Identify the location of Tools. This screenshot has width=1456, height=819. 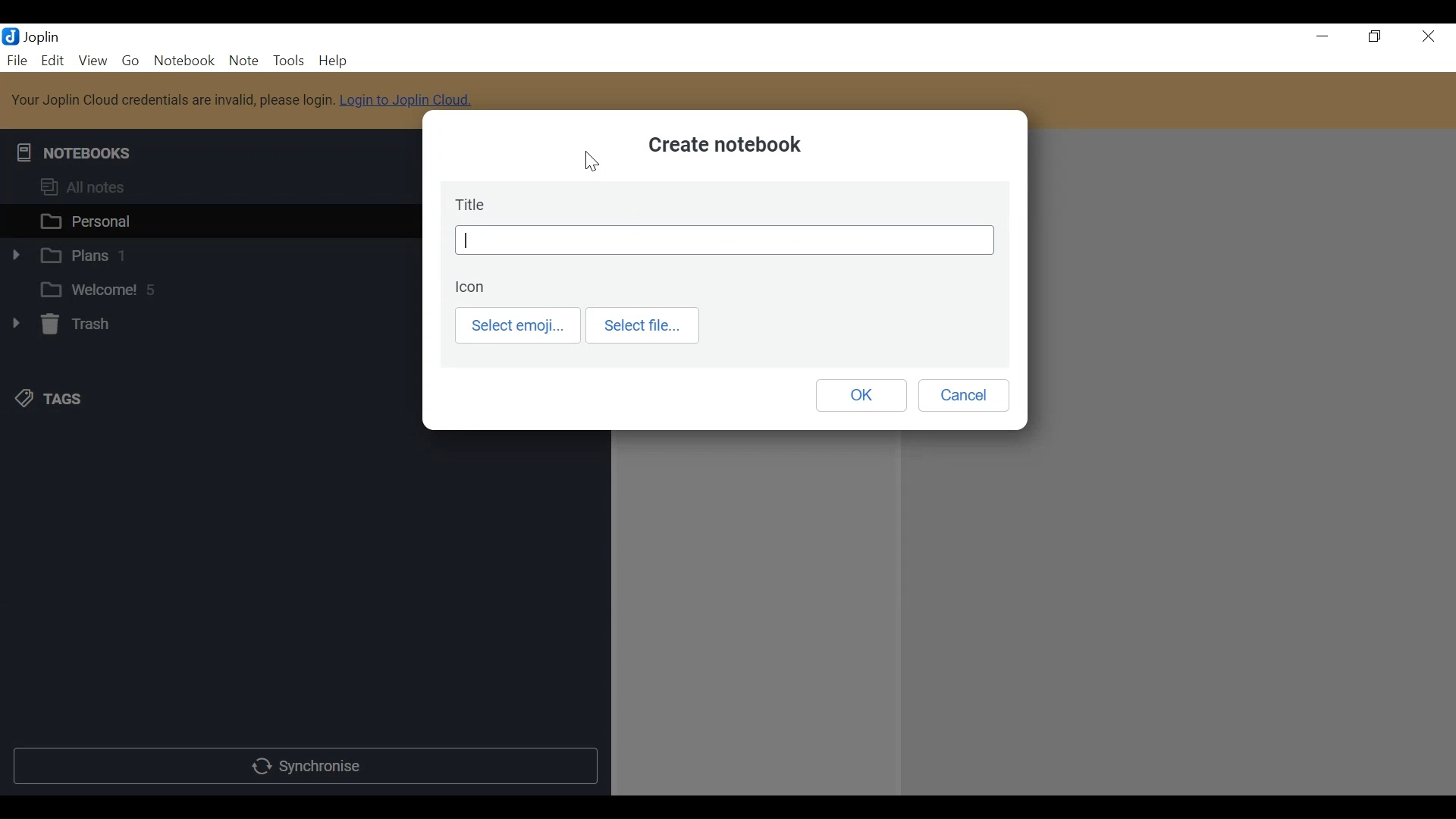
(287, 60).